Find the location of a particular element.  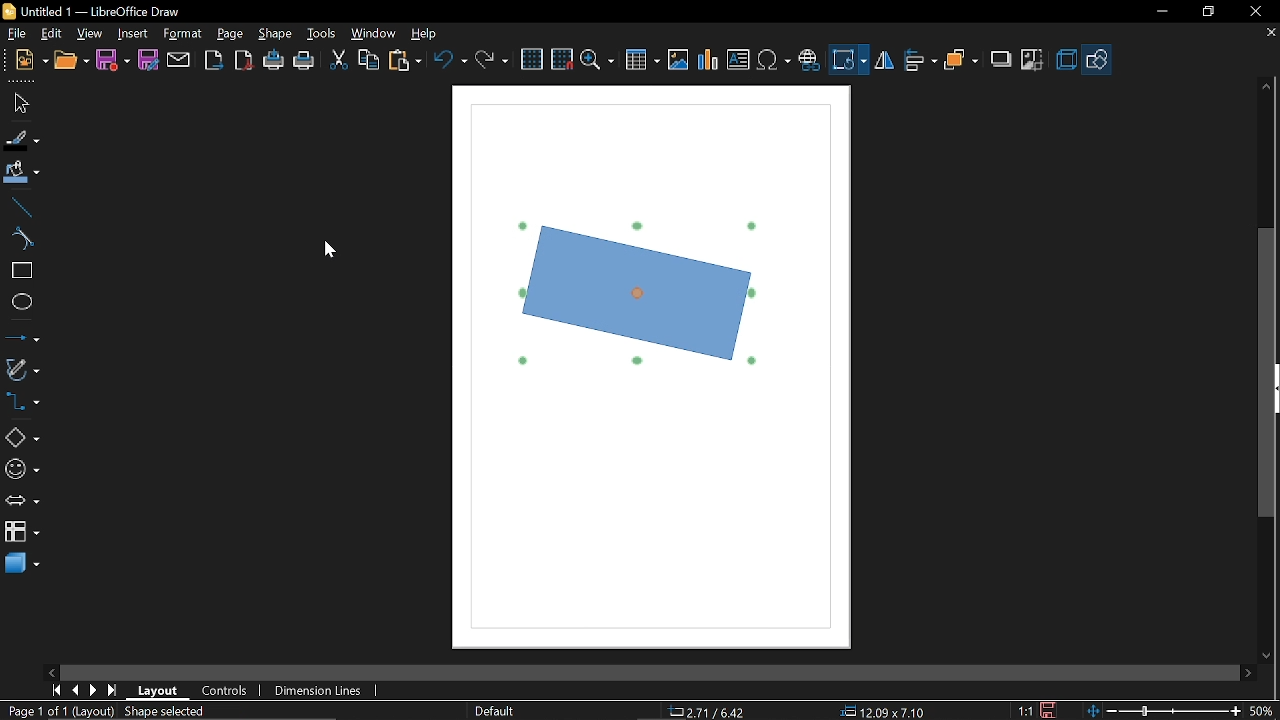

Grid is located at coordinates (533, 60).